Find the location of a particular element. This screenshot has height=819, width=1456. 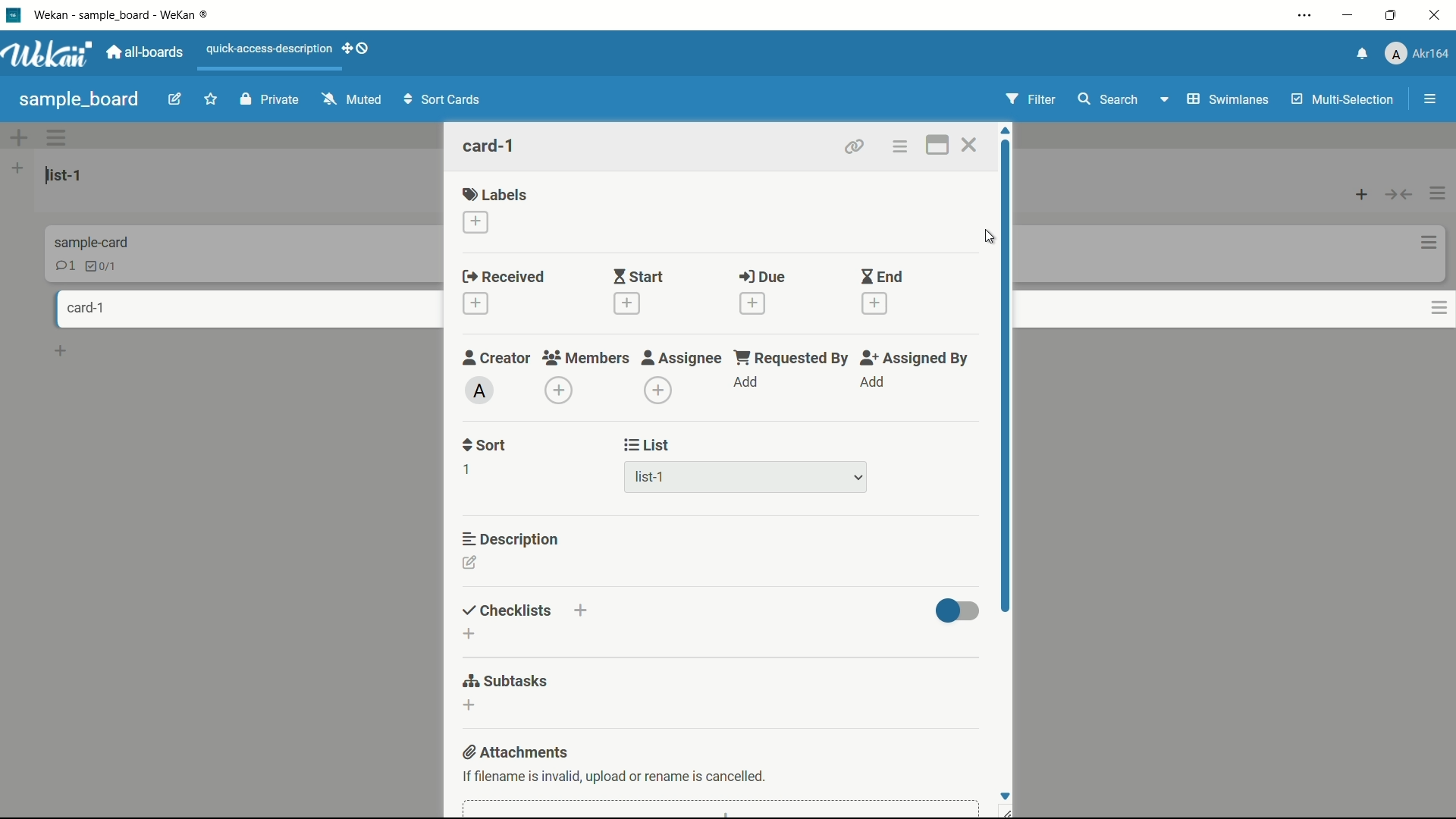

cursor is located at coordinates (987, 237).